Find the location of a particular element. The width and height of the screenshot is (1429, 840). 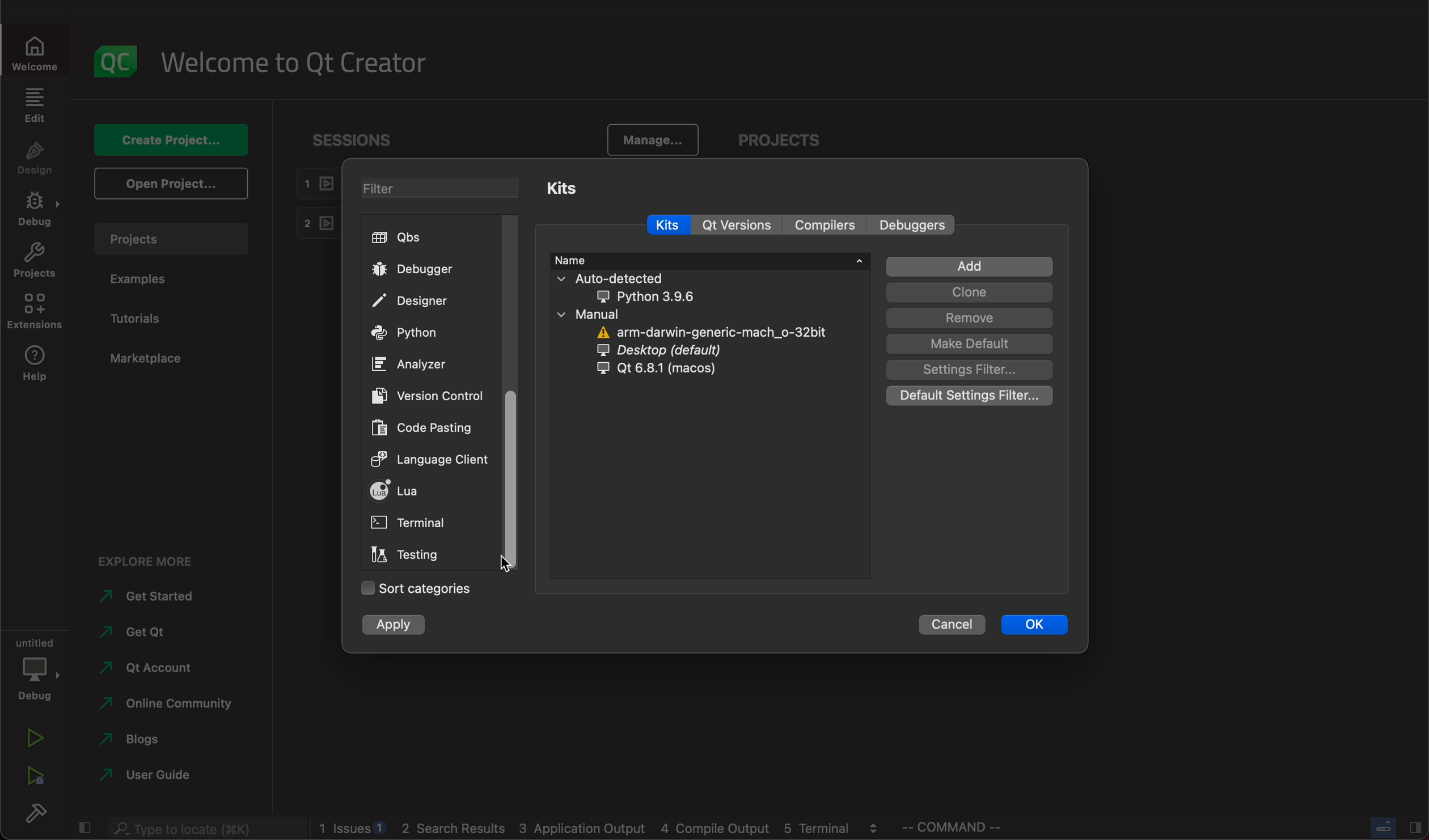

clone is located at coordinates (965, 292).